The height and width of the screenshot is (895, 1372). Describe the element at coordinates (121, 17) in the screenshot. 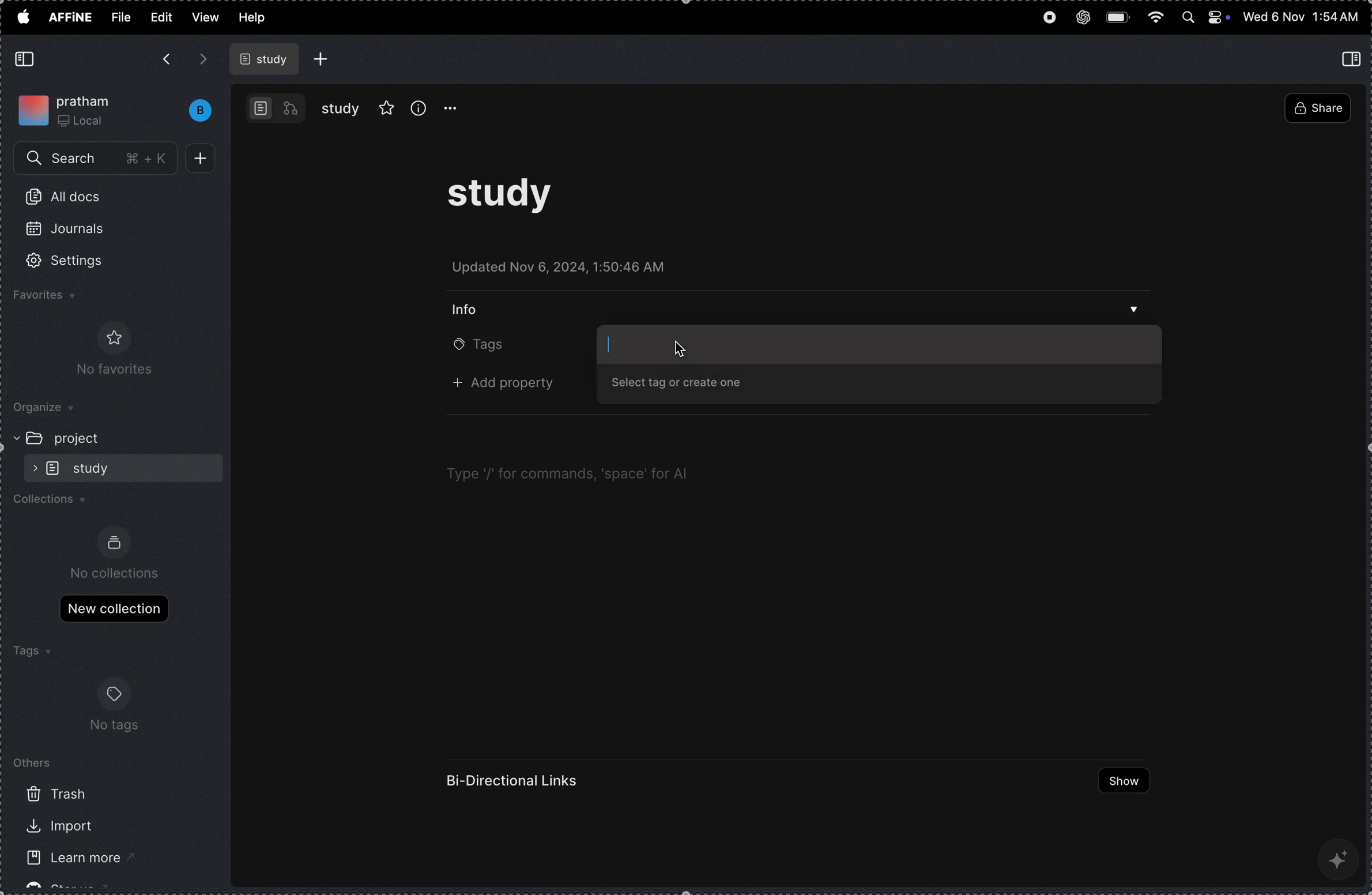

I see `file` at that location.